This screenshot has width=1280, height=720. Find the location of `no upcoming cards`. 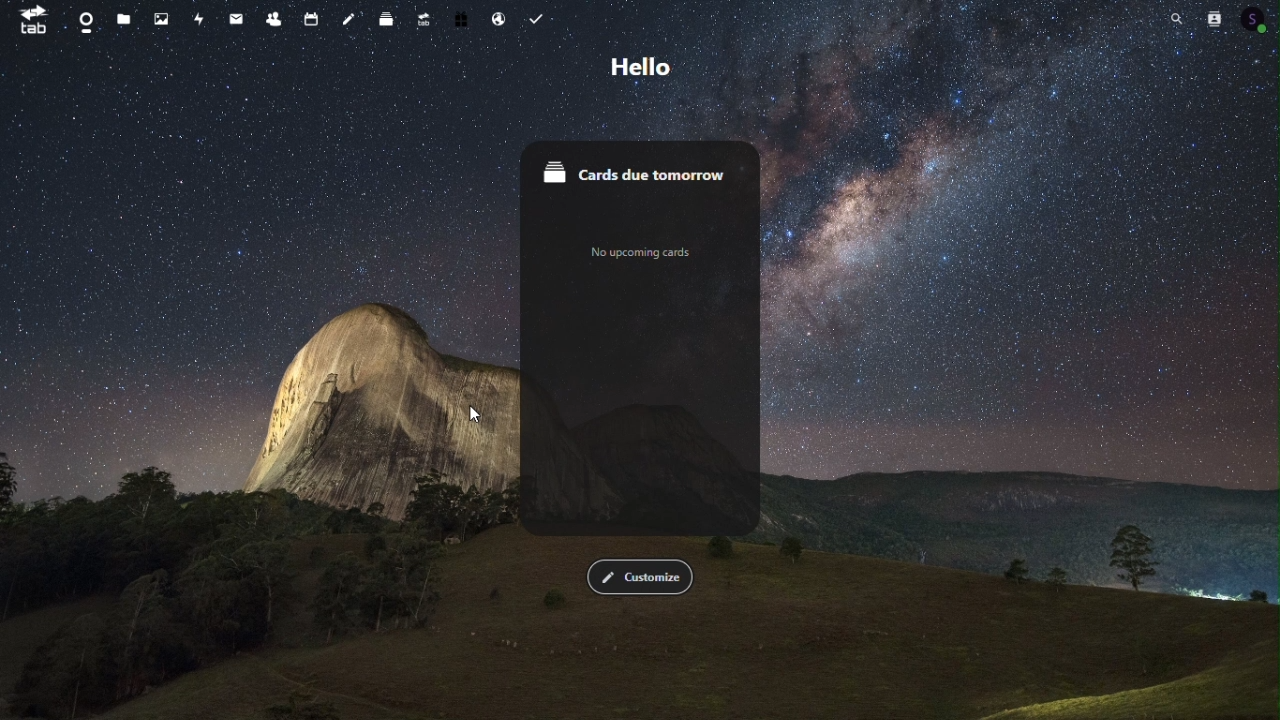

no upcoming cards is located at coordinates (641, 252).